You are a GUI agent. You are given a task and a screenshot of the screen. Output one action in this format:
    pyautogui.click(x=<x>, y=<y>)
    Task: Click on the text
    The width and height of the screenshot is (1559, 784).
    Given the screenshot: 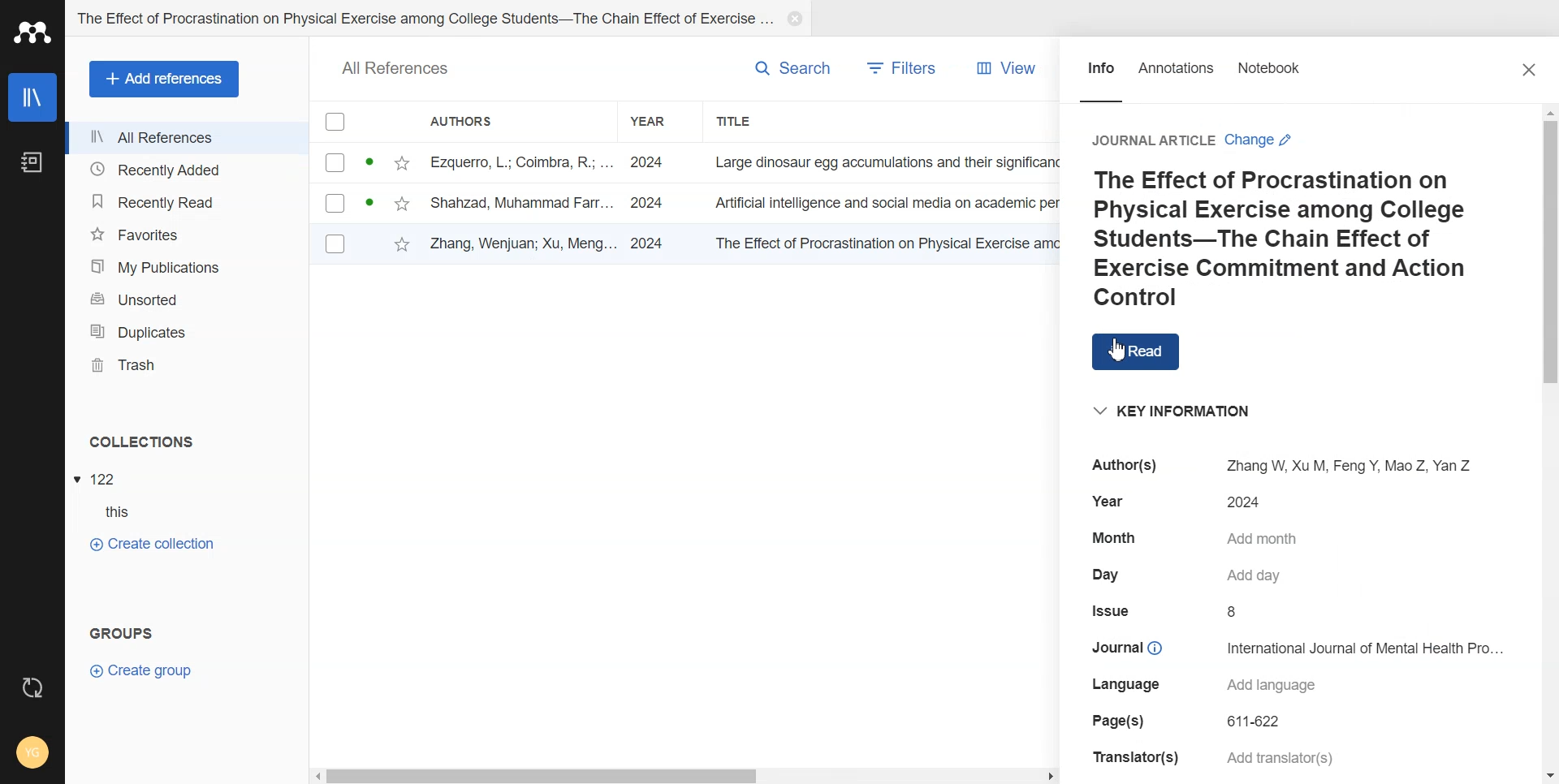 What is the action you would take?
    pyautogui.click(x=880, y=203)
    